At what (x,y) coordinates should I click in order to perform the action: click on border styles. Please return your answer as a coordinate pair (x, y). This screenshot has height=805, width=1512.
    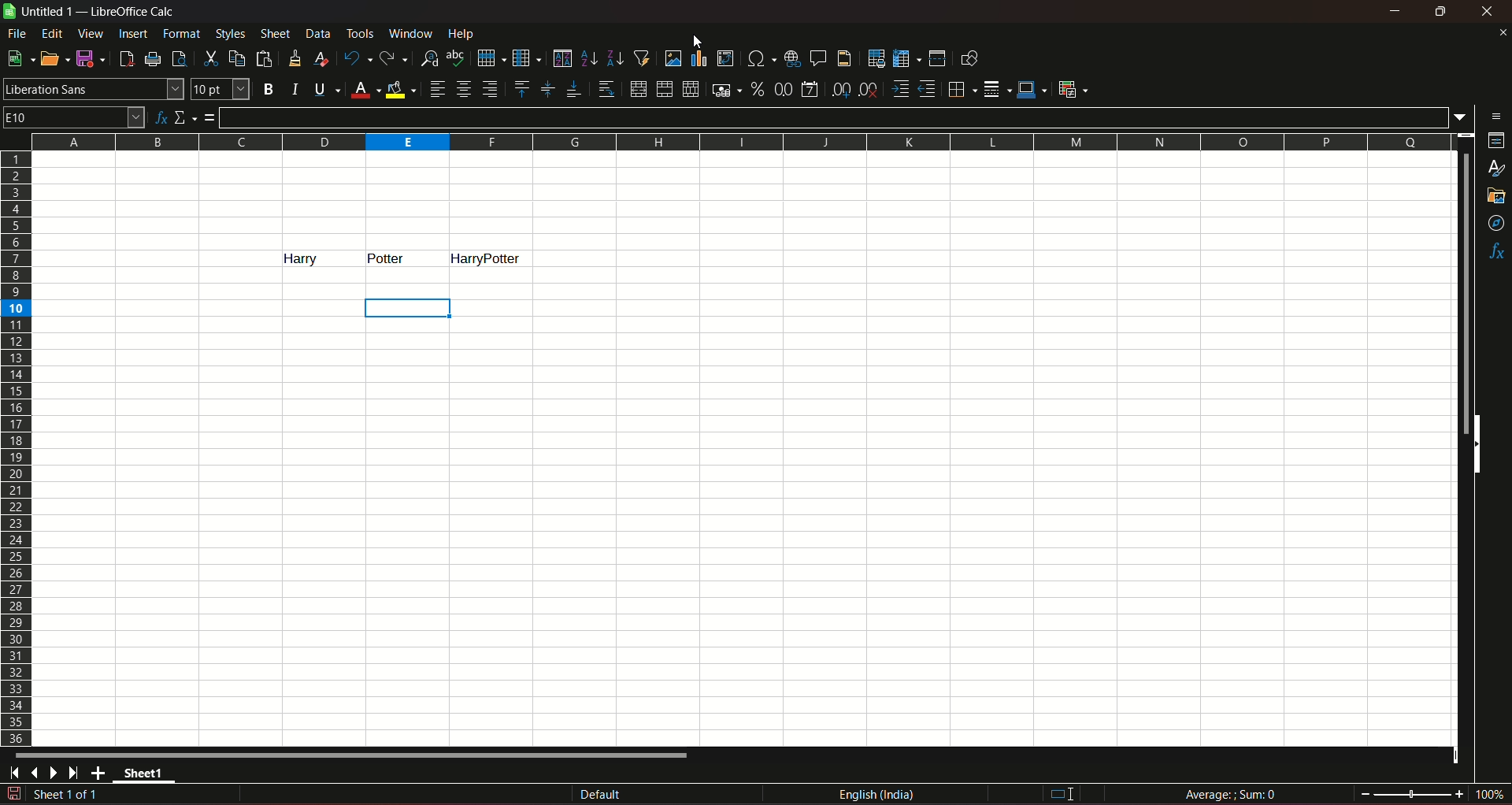
    Looking at the image, I should click on (995, 90).